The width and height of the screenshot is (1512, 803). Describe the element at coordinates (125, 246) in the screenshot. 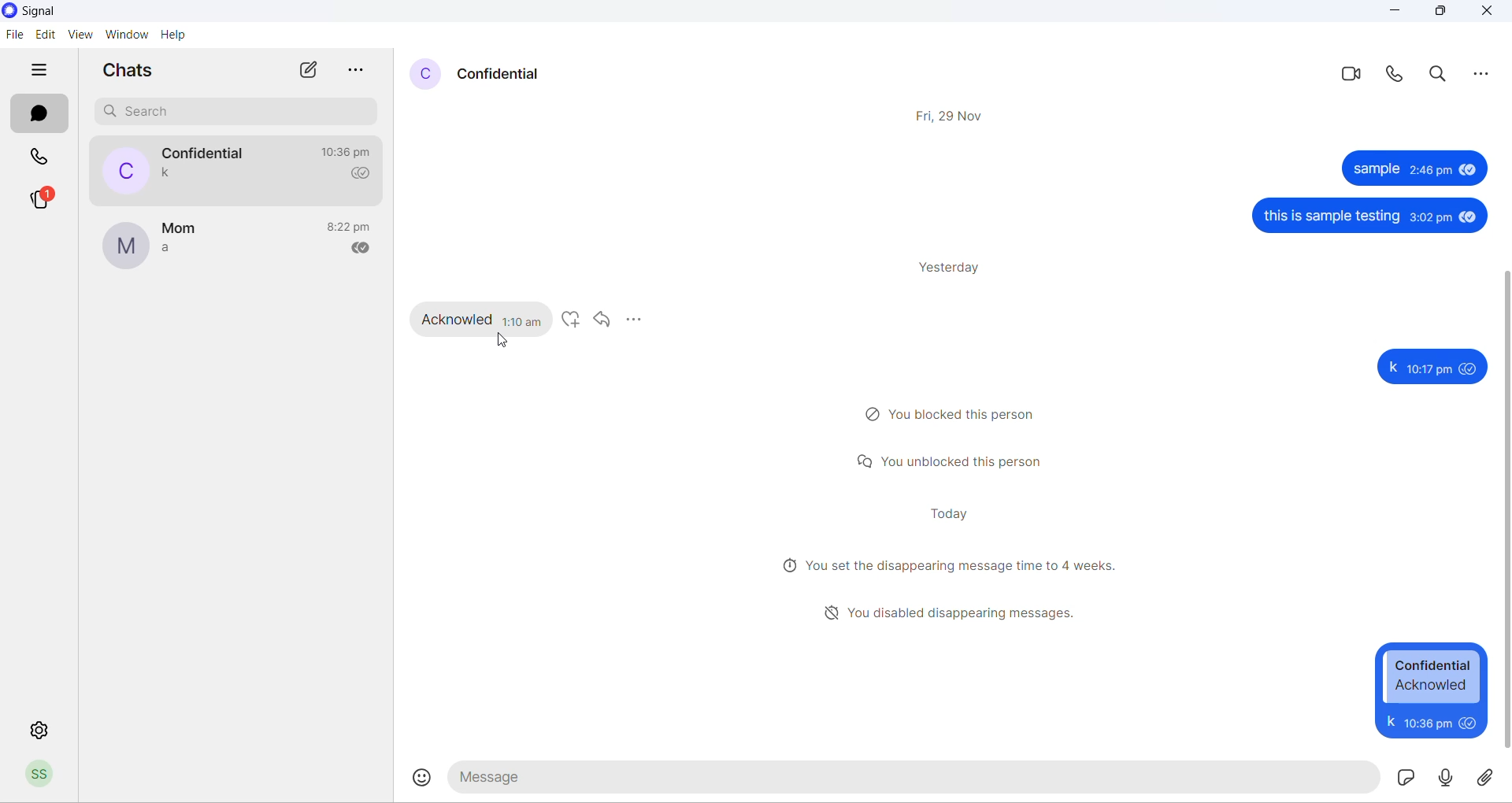

I see `profile picture` at that location.